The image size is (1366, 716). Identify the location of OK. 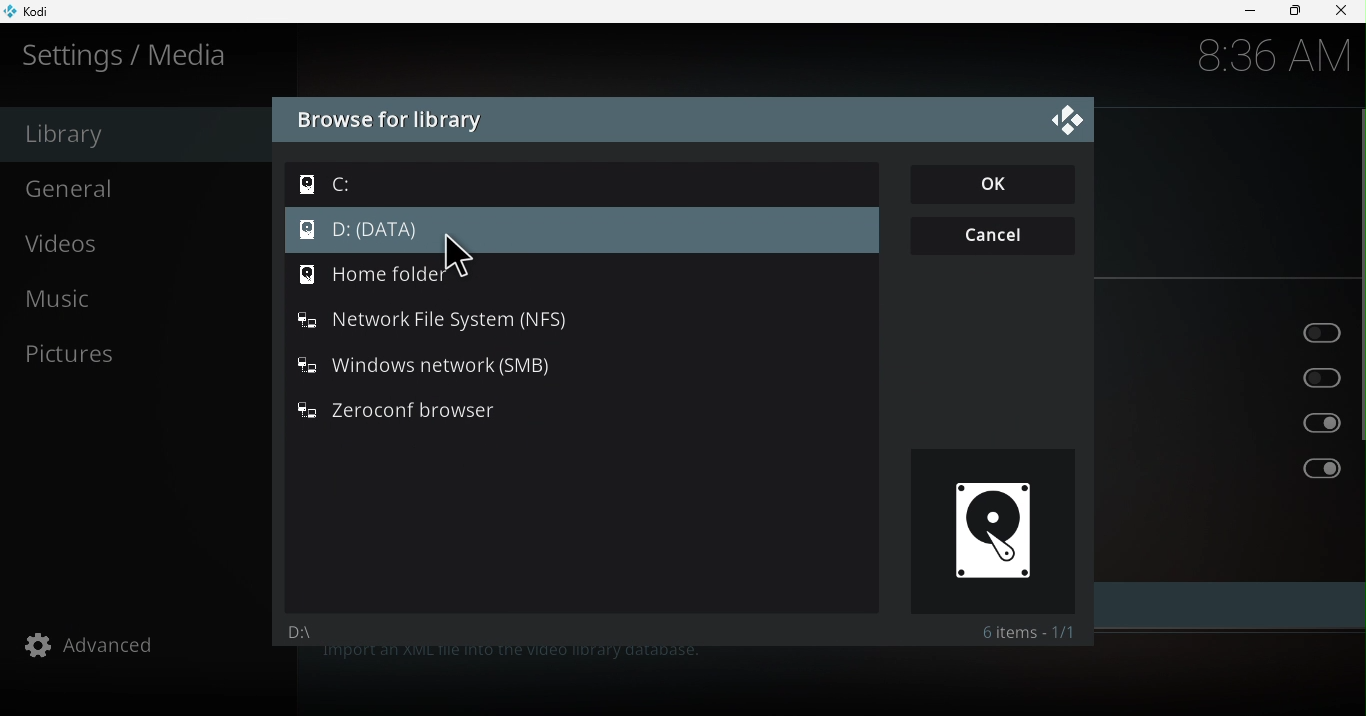
(996, 185).